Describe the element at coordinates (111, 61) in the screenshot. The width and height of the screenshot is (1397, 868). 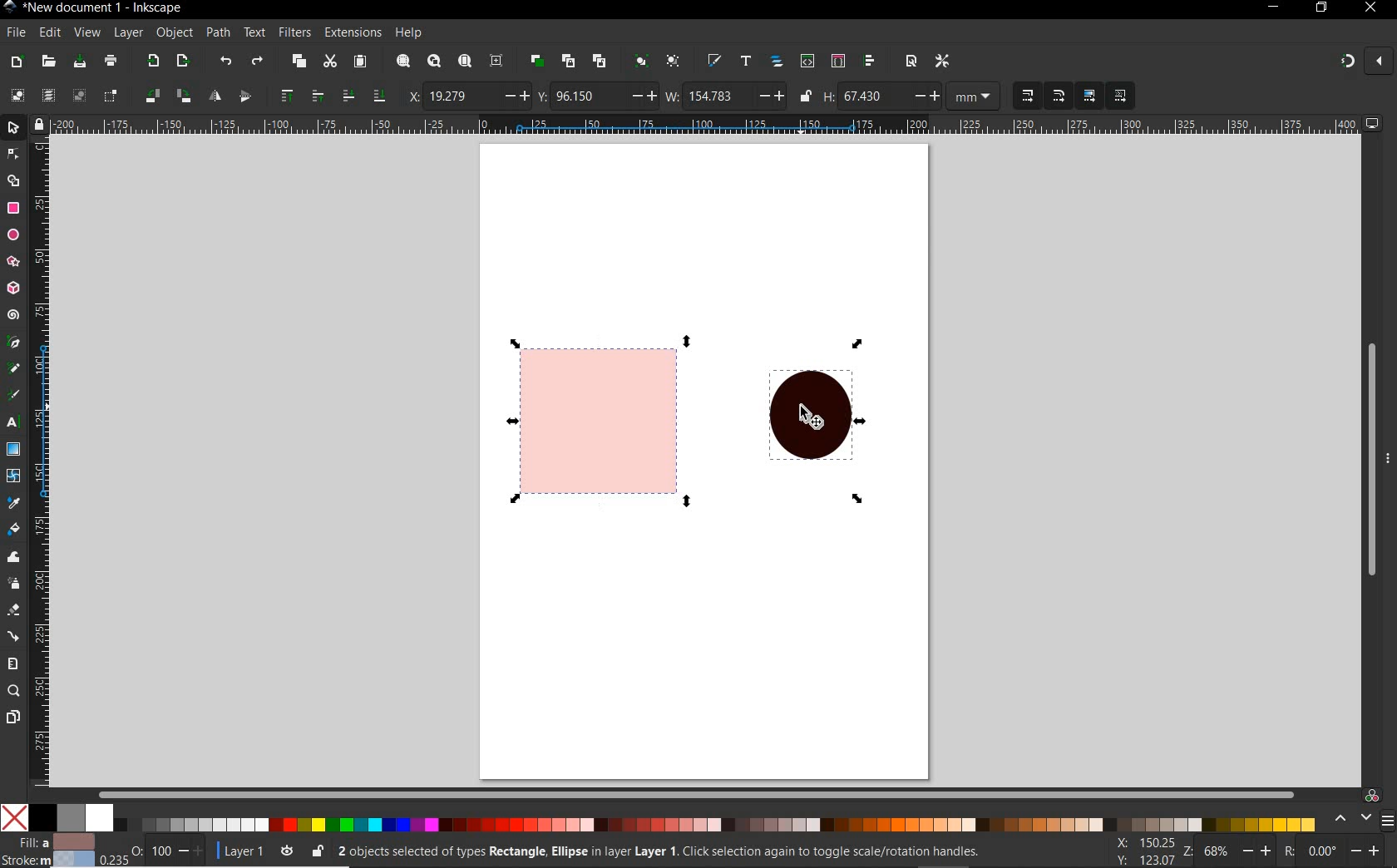
I see `print` at that location.